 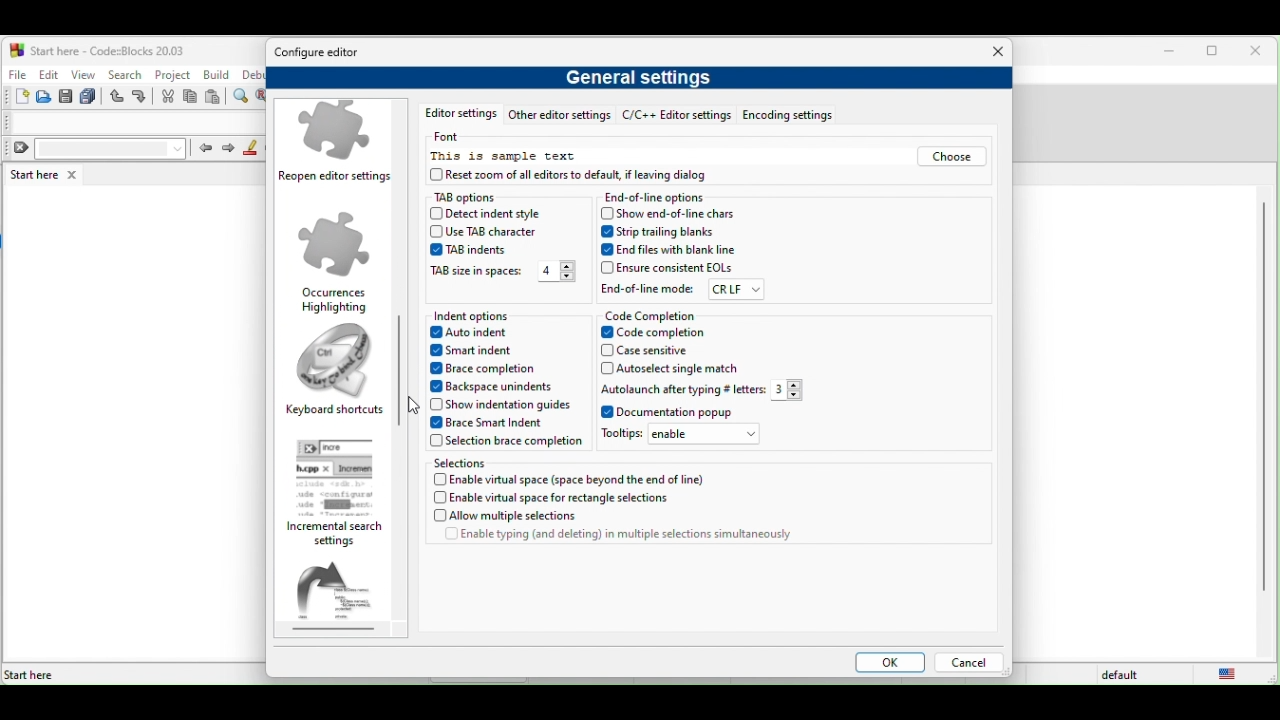 I want to click on brace completion, so click(x=490, y=370).